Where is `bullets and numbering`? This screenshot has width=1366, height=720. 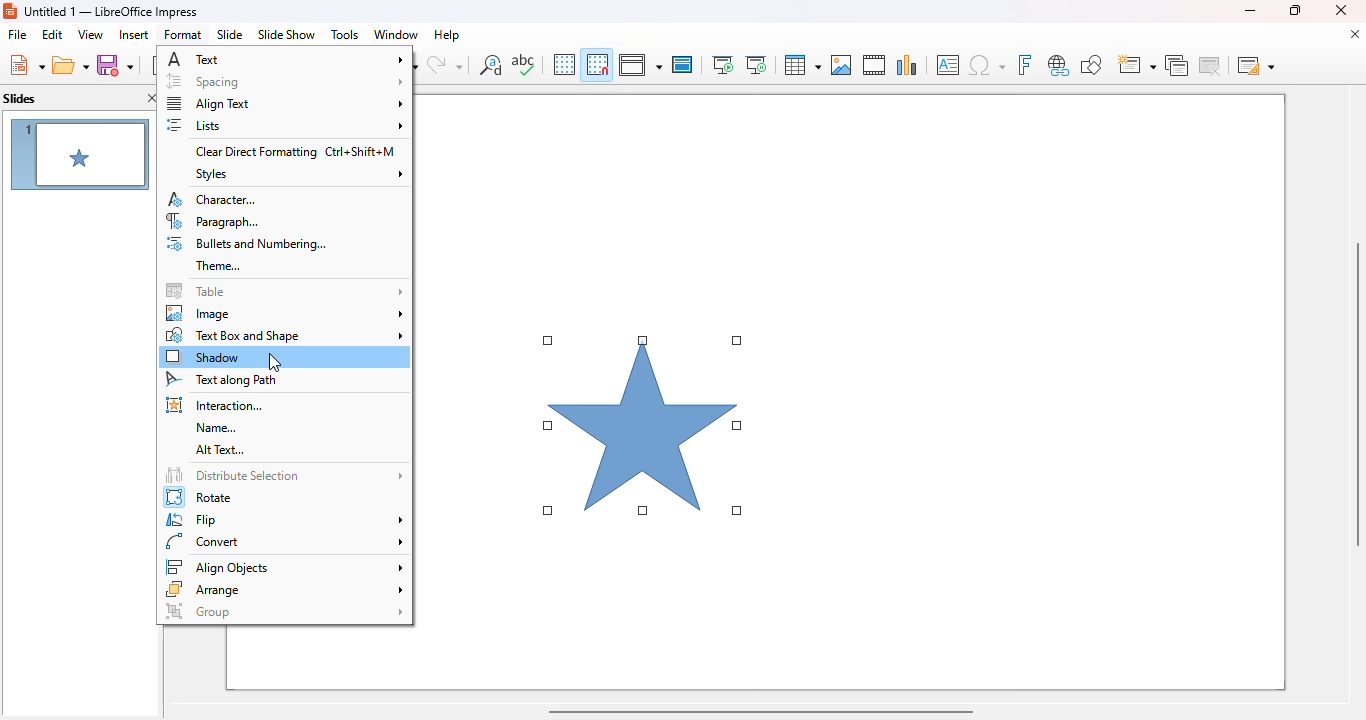
bullets and numbering is located at coordinates (244, 244).